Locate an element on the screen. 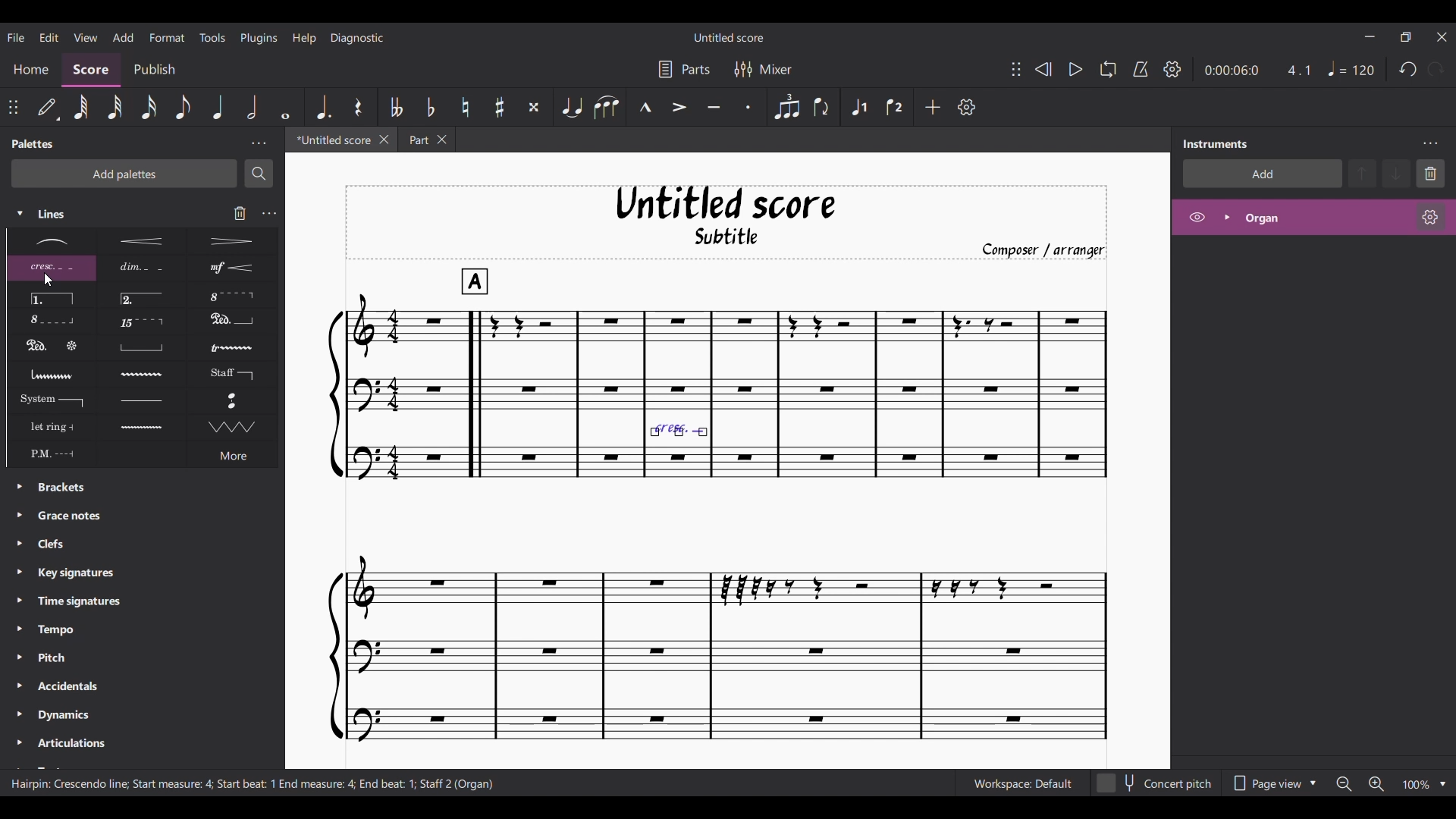  Change position of toolbar attached is located at coordinates (13, 107).